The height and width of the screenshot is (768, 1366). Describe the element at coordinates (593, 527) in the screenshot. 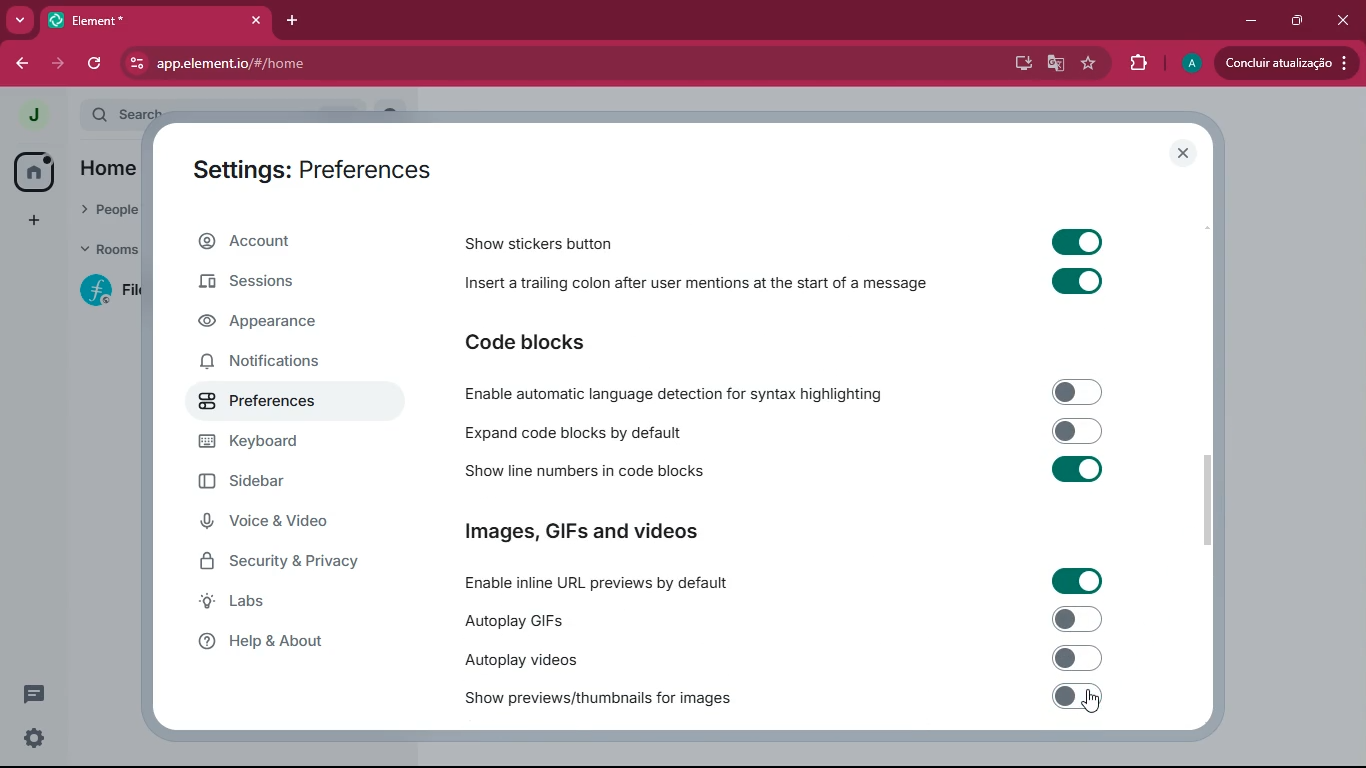

I see `Images, GIFs and Videos` at that location.